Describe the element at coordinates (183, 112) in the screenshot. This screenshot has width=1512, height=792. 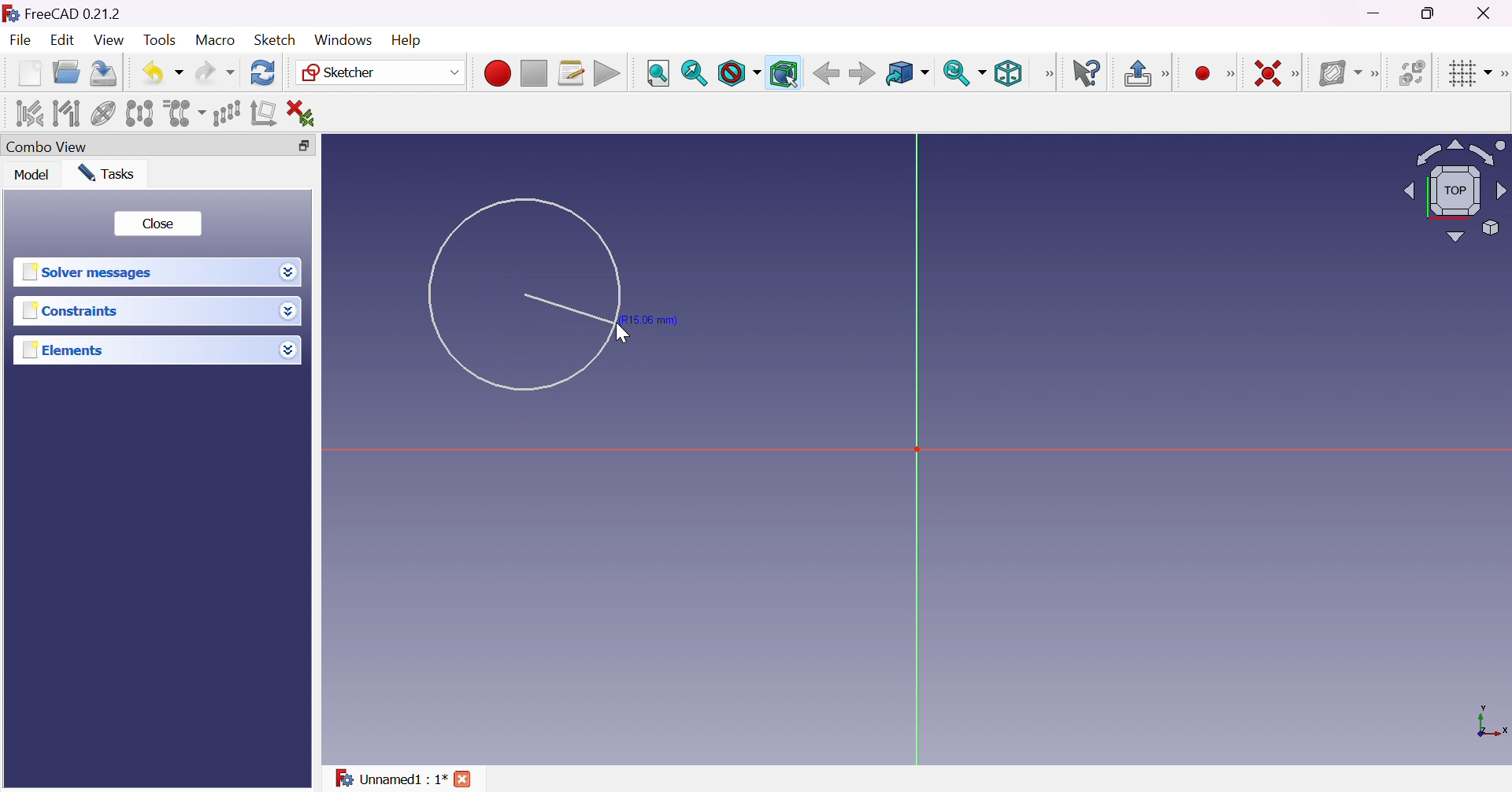
I see `Clone` at that location.